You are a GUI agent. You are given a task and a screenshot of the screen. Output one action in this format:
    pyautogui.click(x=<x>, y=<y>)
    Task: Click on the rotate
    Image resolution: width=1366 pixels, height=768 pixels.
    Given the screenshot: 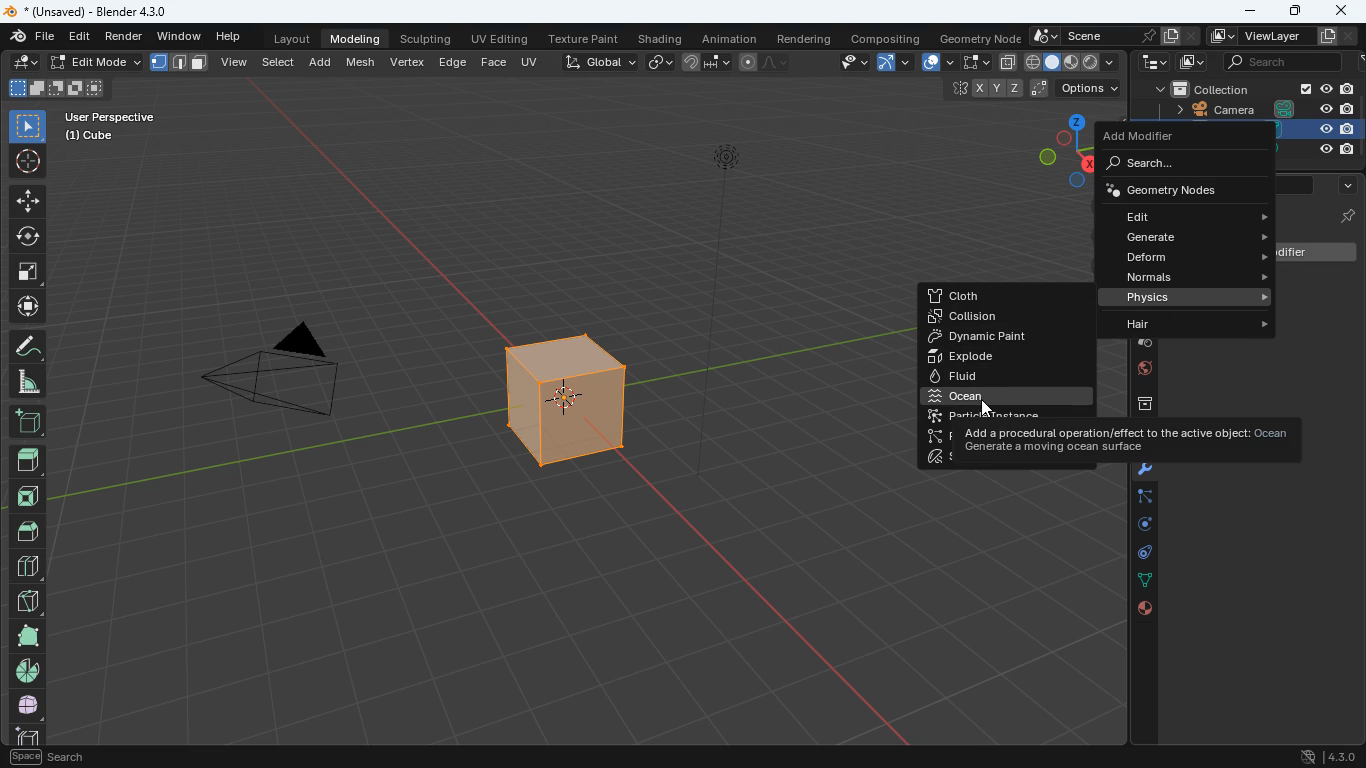 What is the action you would take?
    pyautogui.click(x=26, y=236)
    